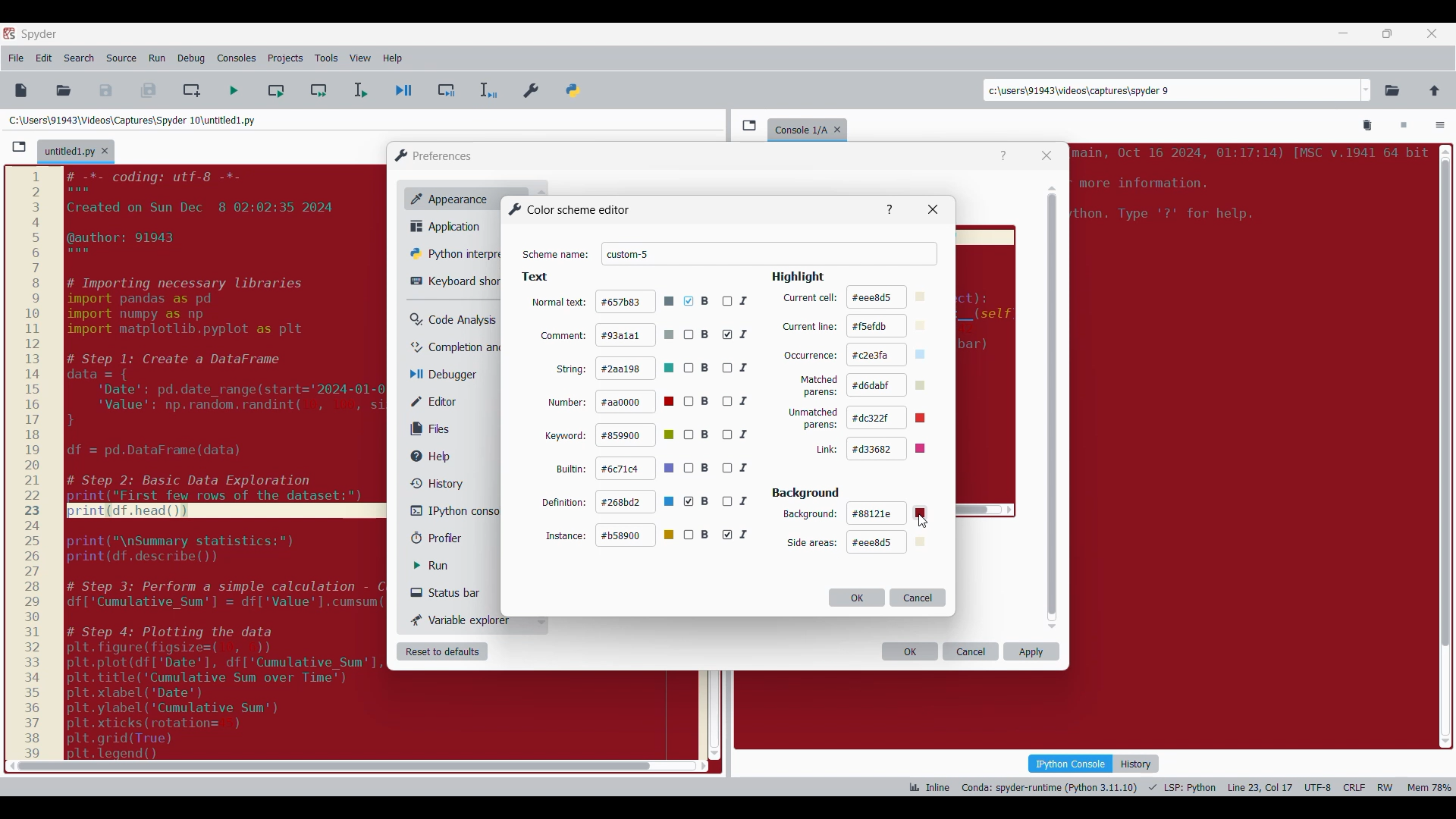  Describe the element at coordinates (910, 651) in the screenshot. I see `OK` at that location.